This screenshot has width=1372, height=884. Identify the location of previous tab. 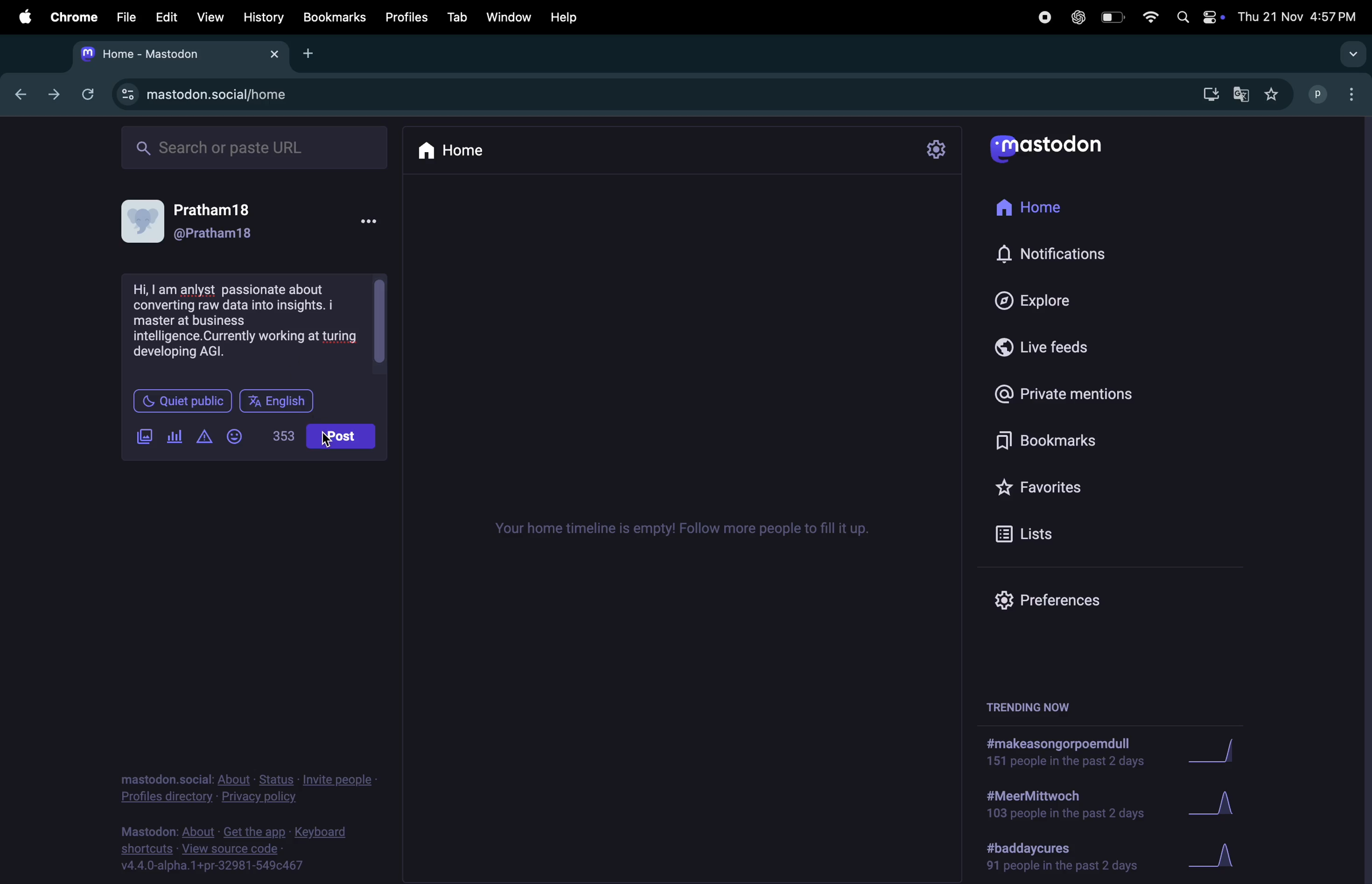
(24, 94).